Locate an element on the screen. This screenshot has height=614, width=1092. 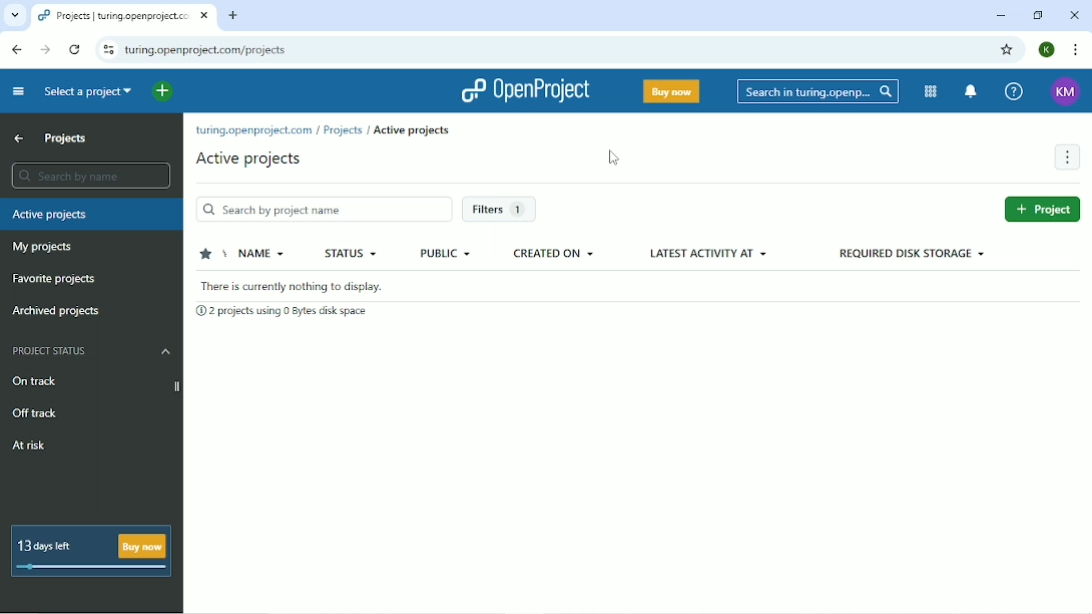
Created on is located at coordinates (575, 250).